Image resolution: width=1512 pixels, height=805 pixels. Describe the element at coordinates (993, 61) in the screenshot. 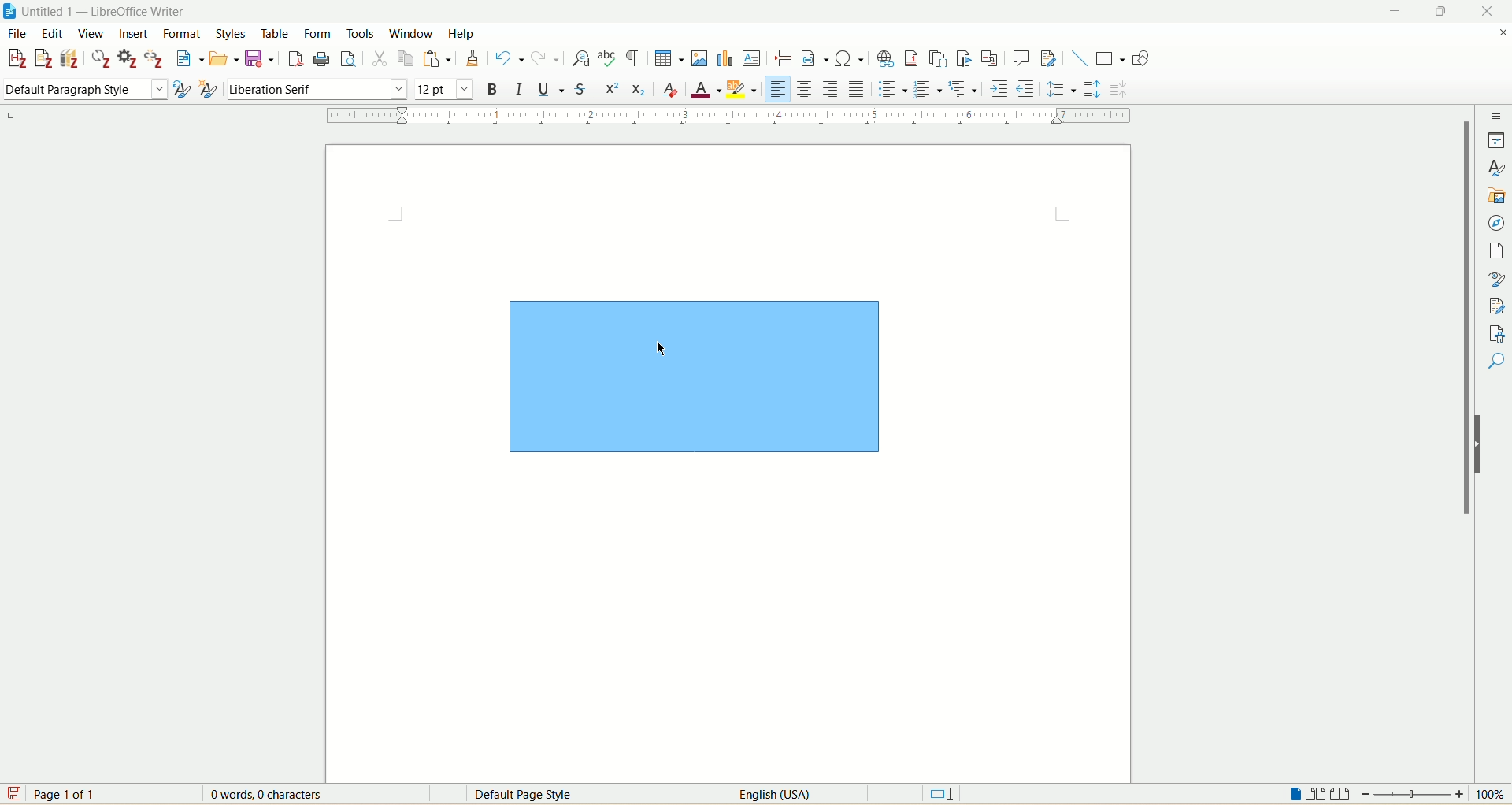

I see `insert cross referencing` at that location.